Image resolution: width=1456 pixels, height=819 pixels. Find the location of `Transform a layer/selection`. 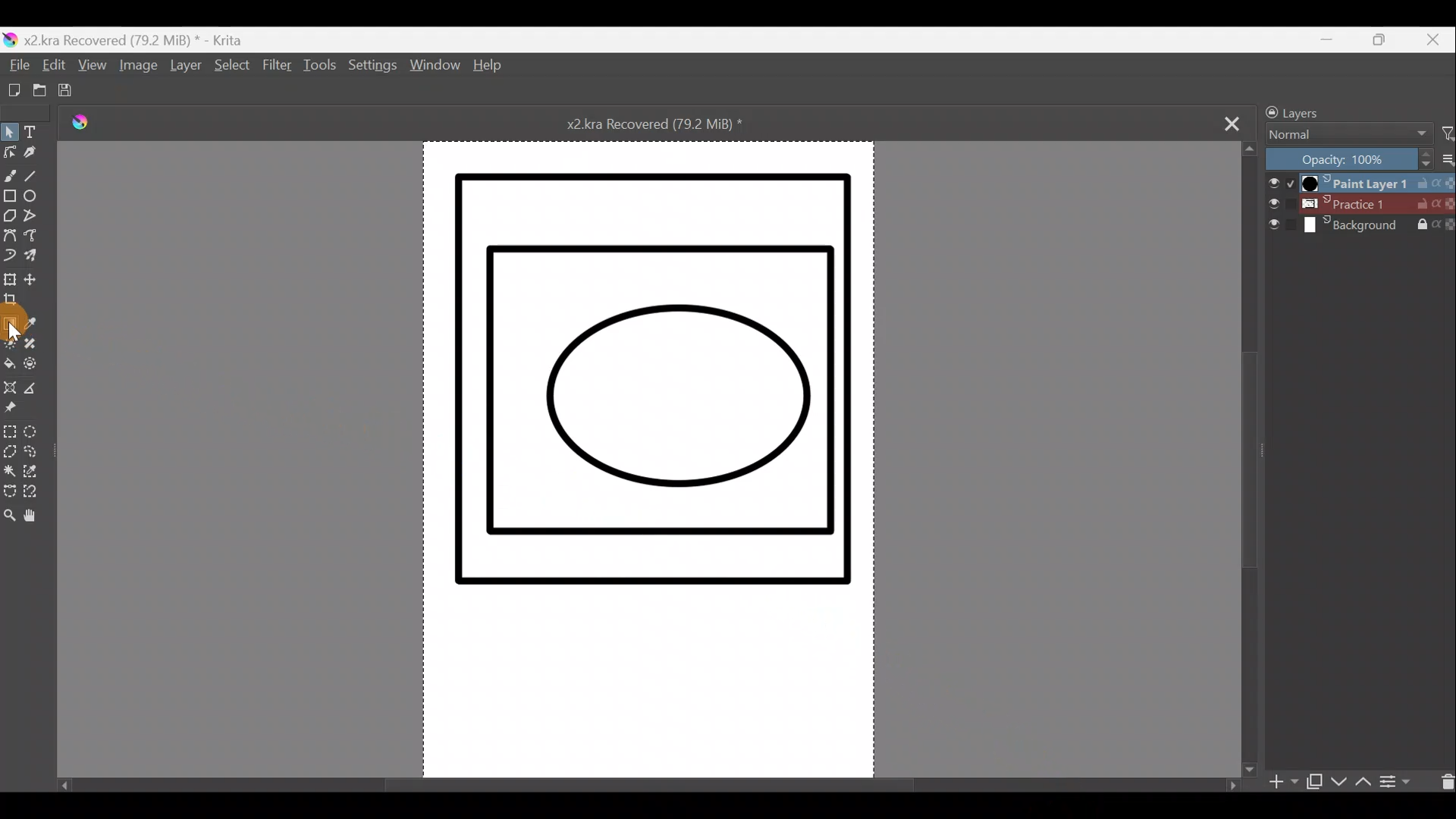

Transform a layer/selection is located at coordinates (11, 281).